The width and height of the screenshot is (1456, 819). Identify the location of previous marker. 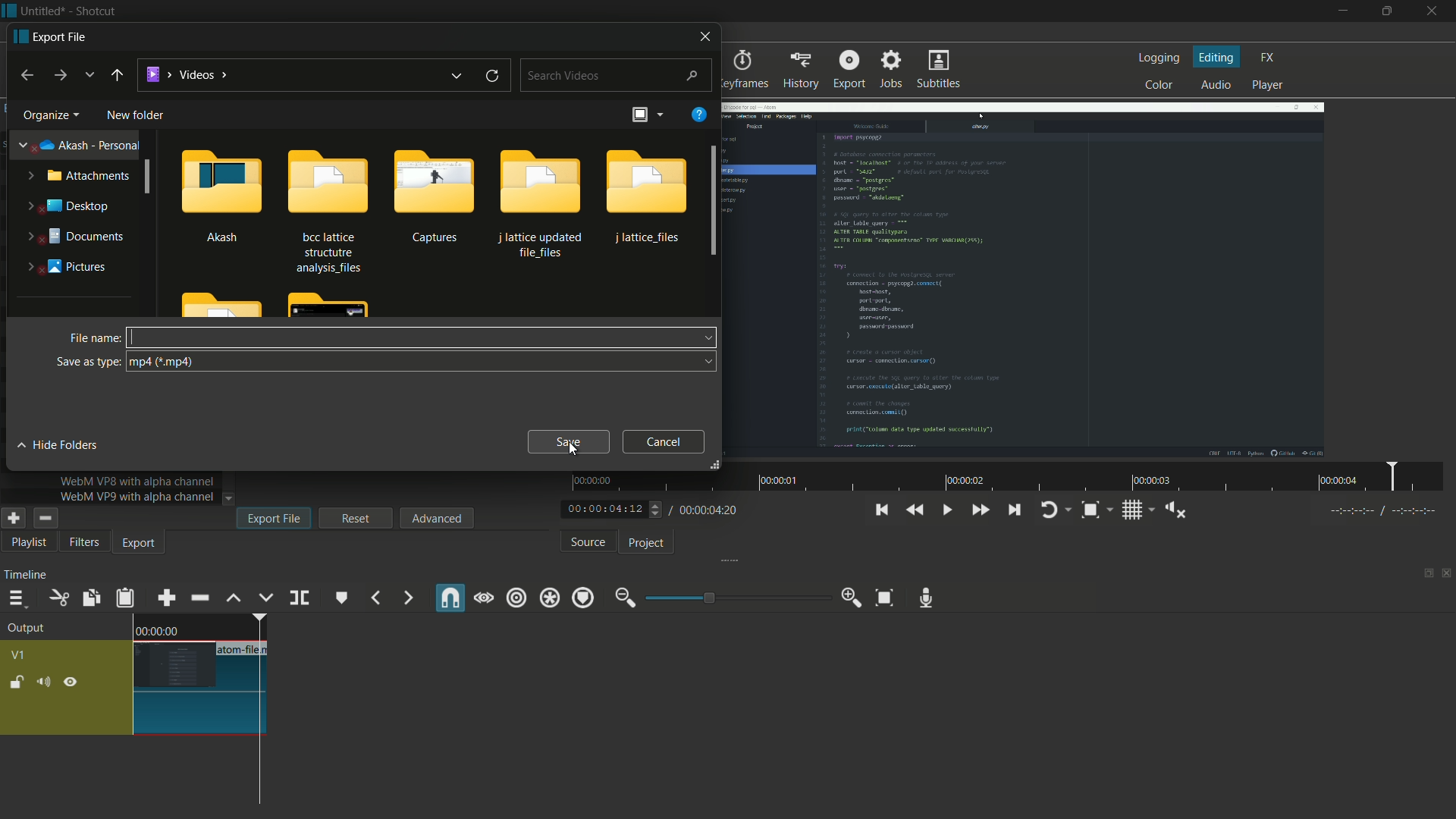
(374, 599).